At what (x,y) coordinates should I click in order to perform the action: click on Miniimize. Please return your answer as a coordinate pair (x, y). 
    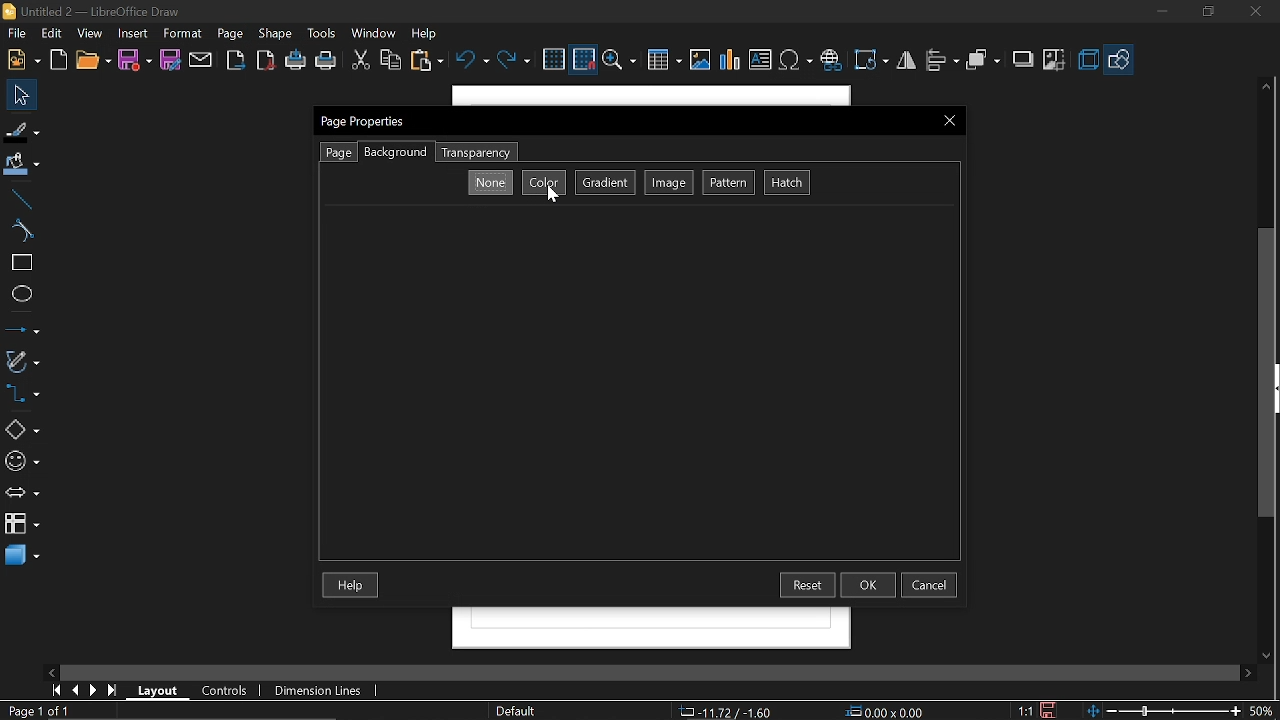
    Looking at the image, I should click on (1160, 14).